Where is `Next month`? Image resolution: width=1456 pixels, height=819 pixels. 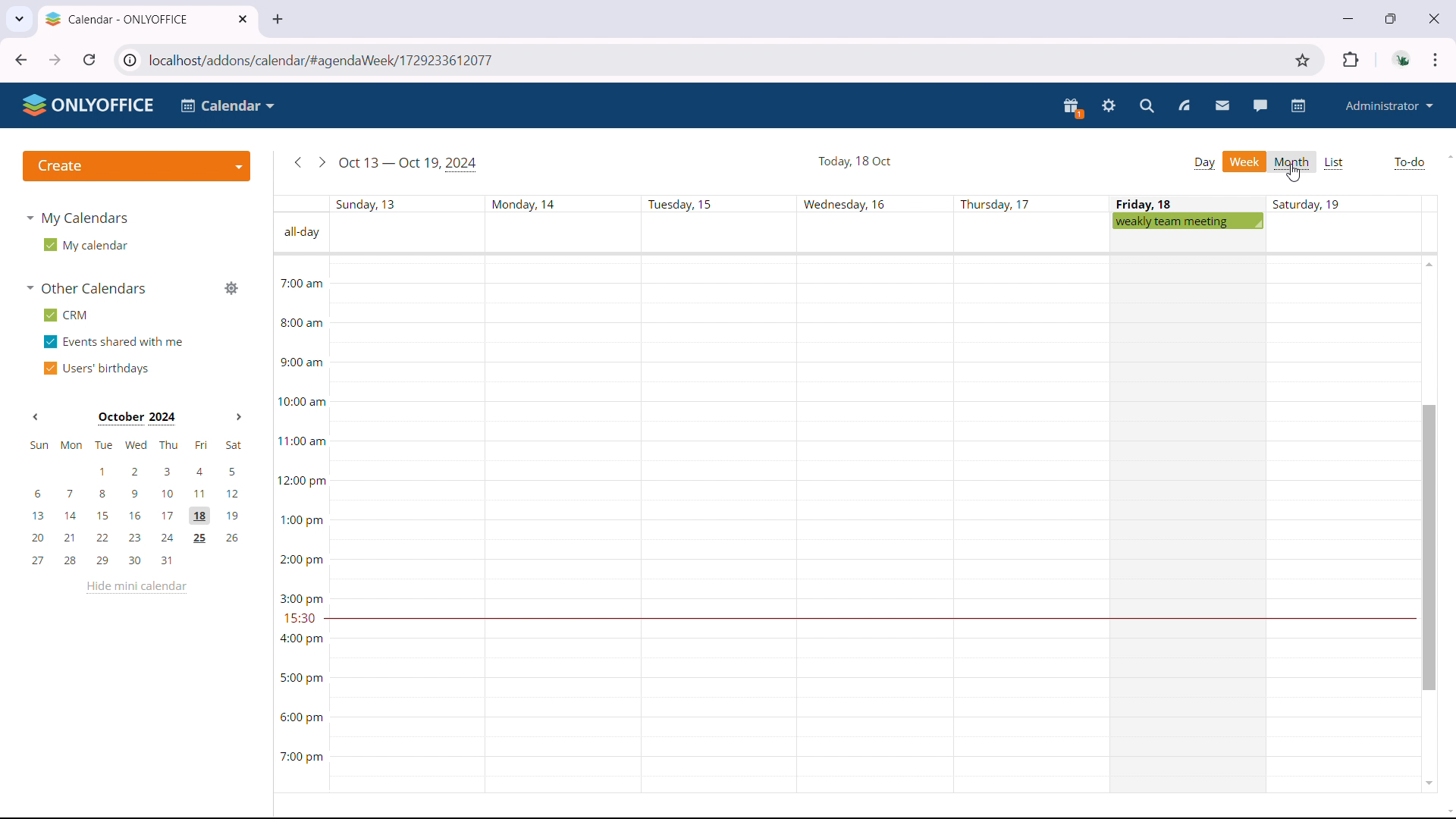
Next month is located at coordinates (236, 418).